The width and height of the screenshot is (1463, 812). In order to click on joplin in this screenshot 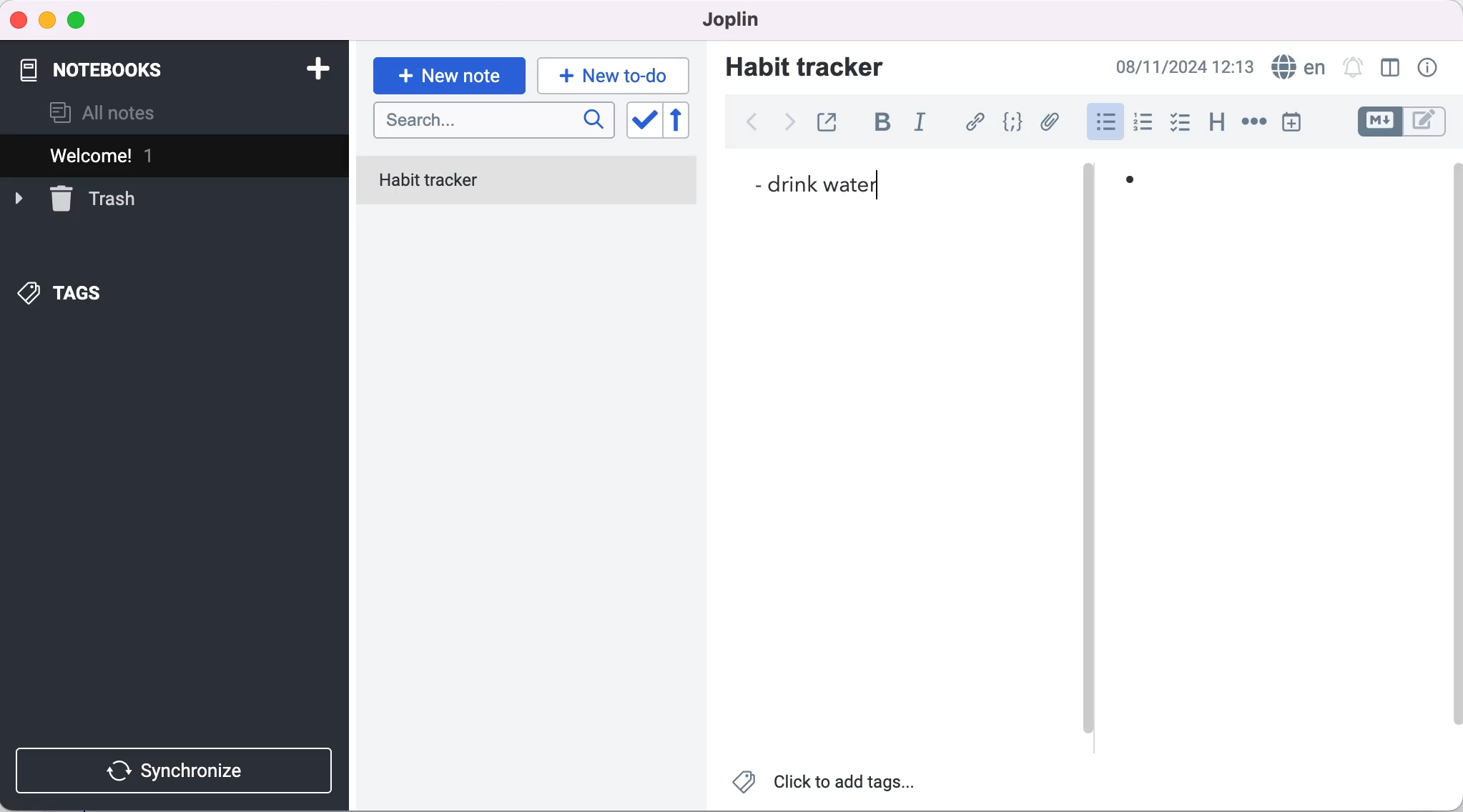, I will do `click(725, 19)`.